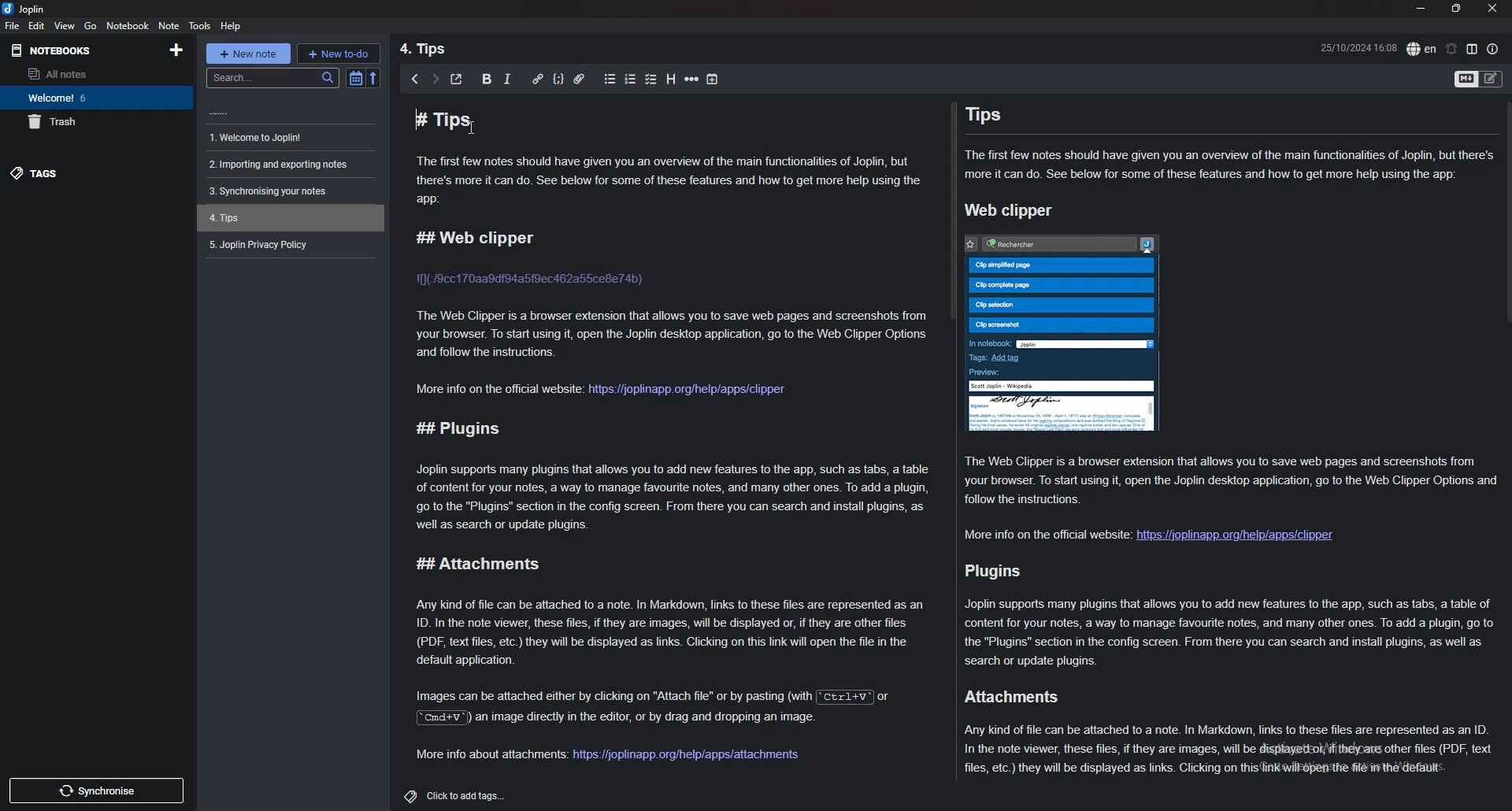 The width and height of the screenshot is (1512, 811). What do you see at coordinates (270, 78) in the screenshot?
I see `search bar` at bounding box center [270, 78].